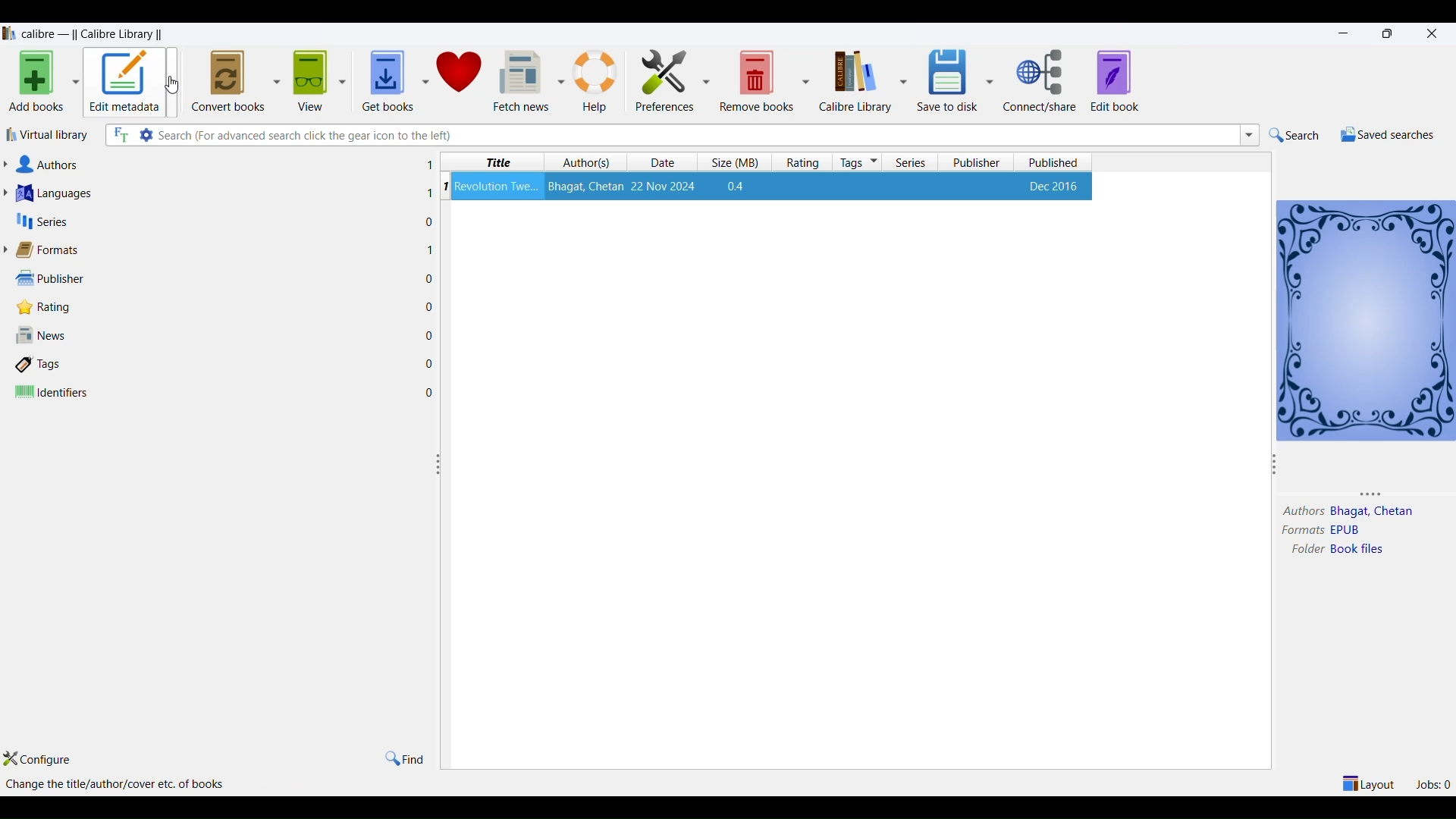  Describe the element at coordinates (1349, 530) in the screenshot. I see `format type` at that location.